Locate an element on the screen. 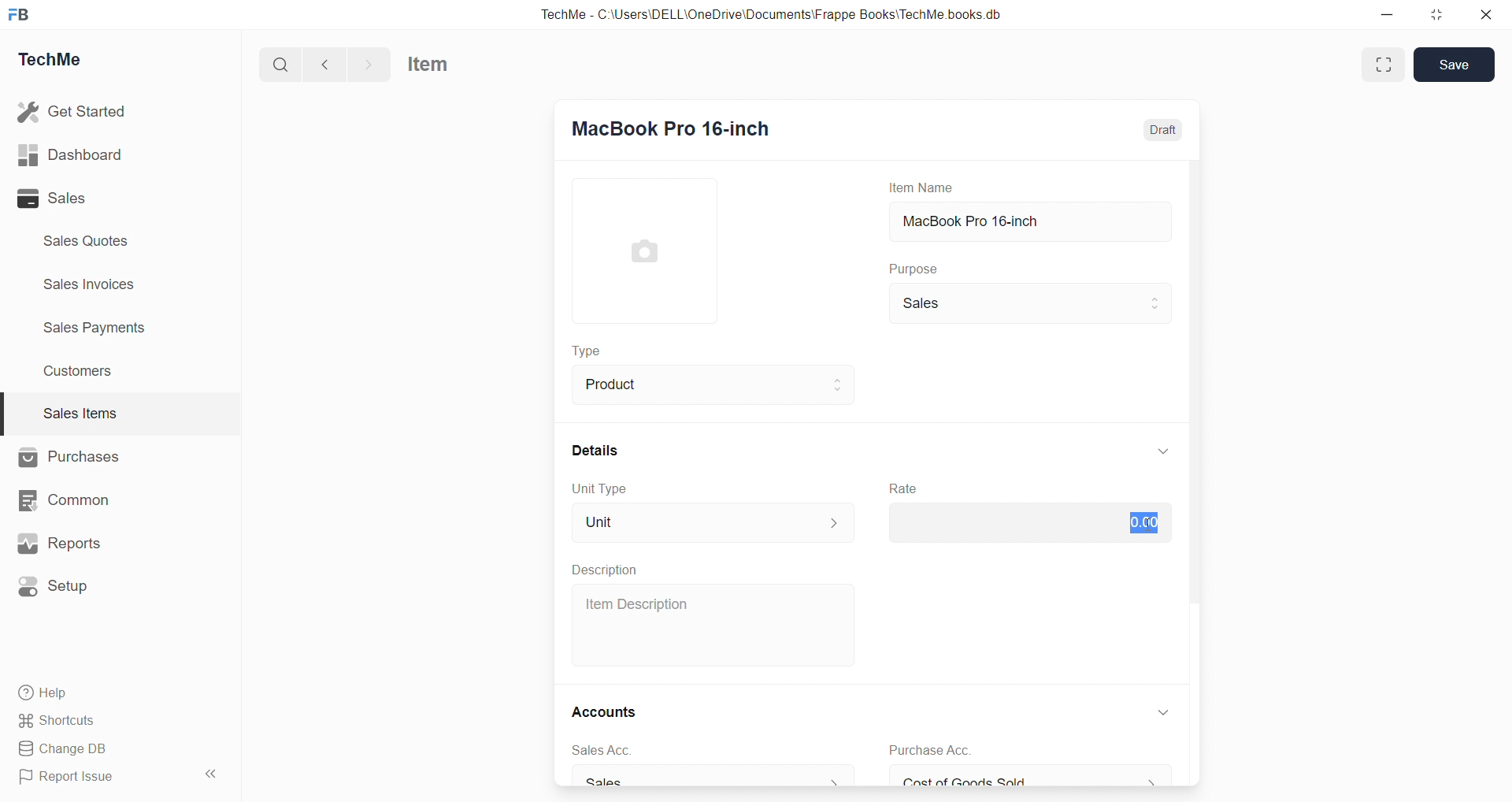  Cost of Goods Sold is located at coordinates (1033, 776).